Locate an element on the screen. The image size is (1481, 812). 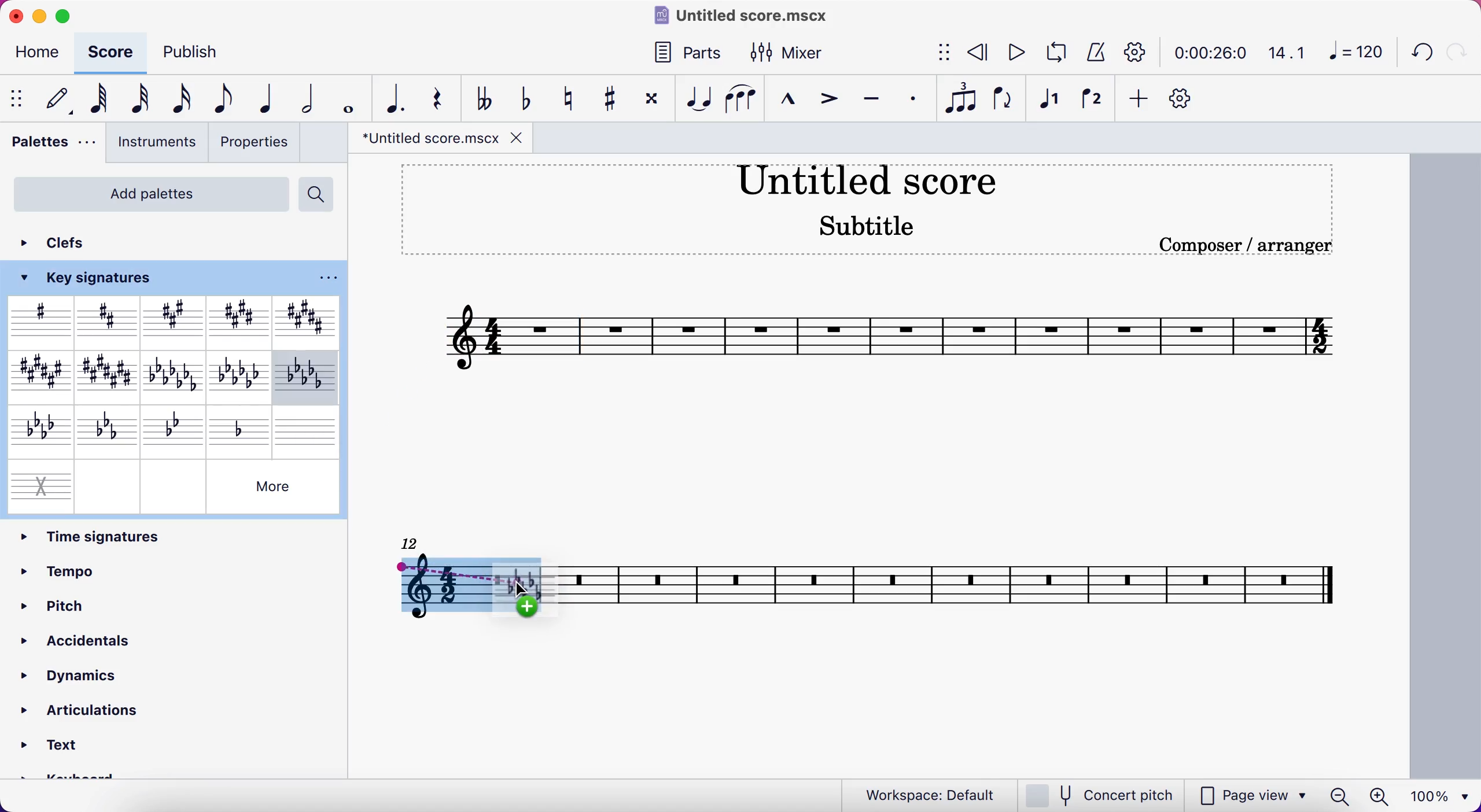
time is located at coordinates (1206, 53).